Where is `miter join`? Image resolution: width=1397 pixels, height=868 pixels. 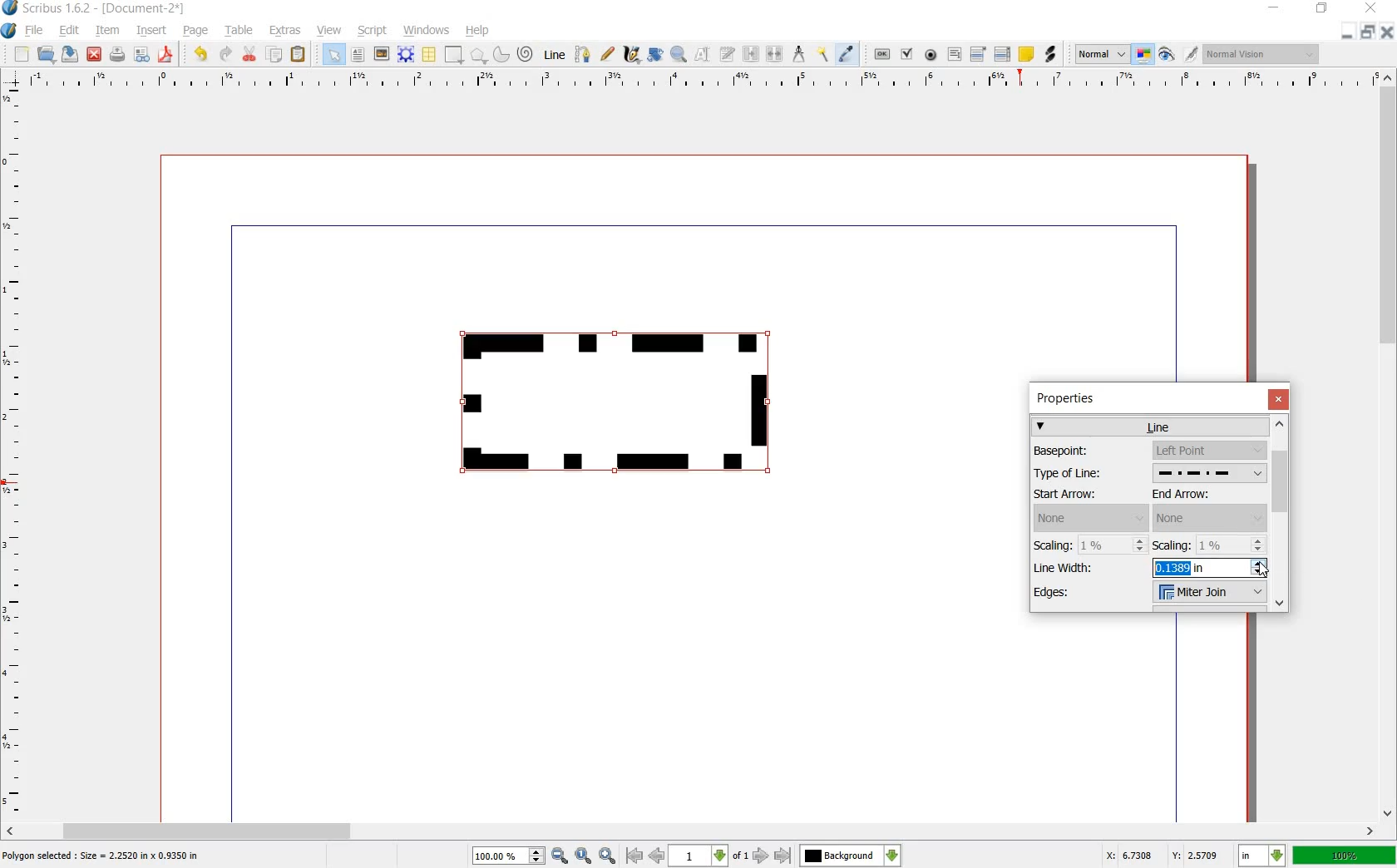
miter join is located at coordinates (1208, 594).